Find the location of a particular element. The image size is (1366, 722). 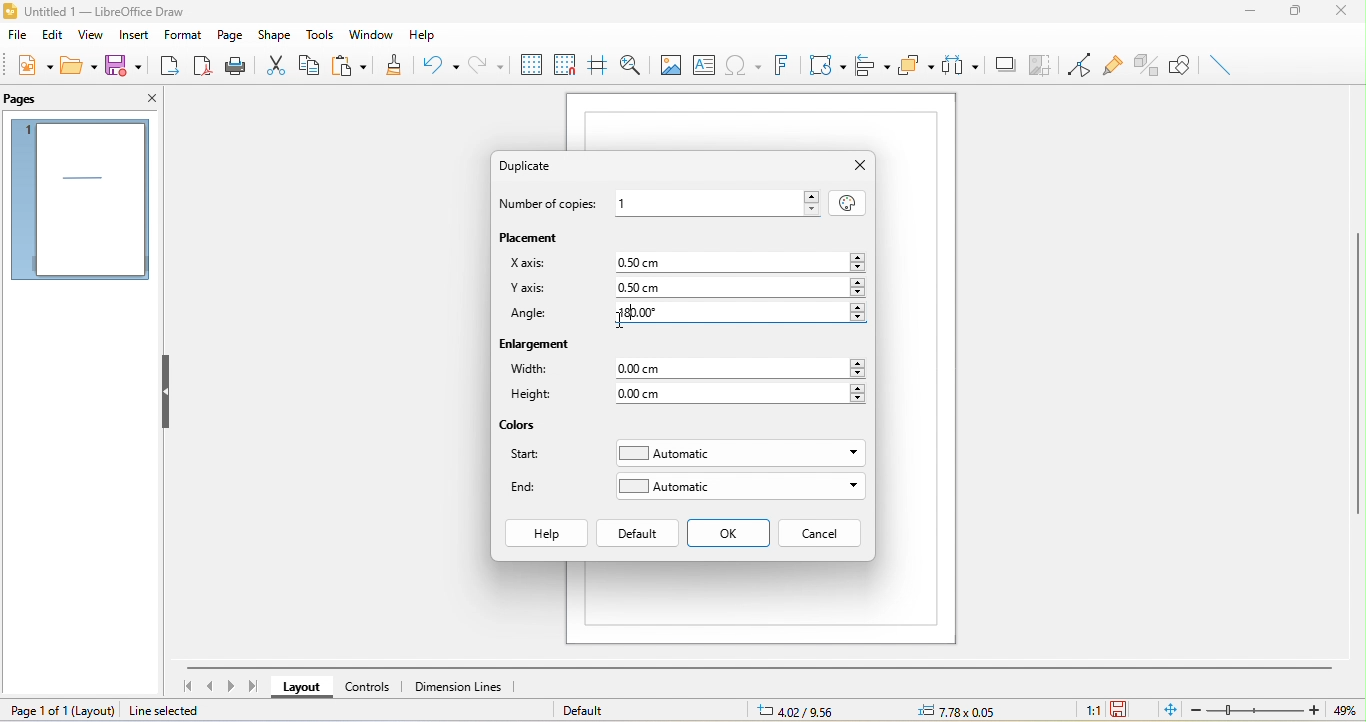

height is located at coordinates (538, 397).